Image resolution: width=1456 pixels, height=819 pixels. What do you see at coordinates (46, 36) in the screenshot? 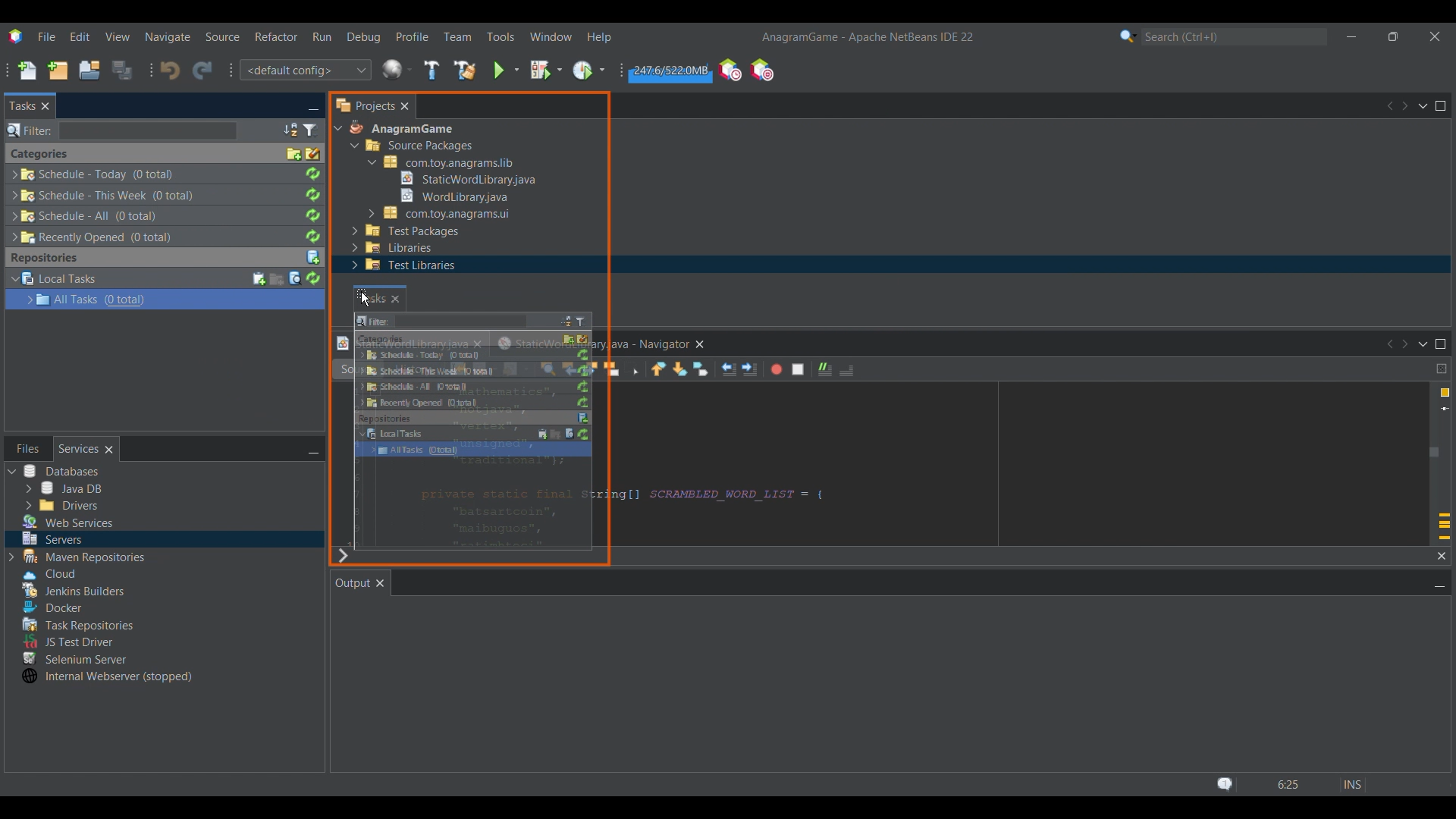
I see `File menu` at bounding box center [46, 36].